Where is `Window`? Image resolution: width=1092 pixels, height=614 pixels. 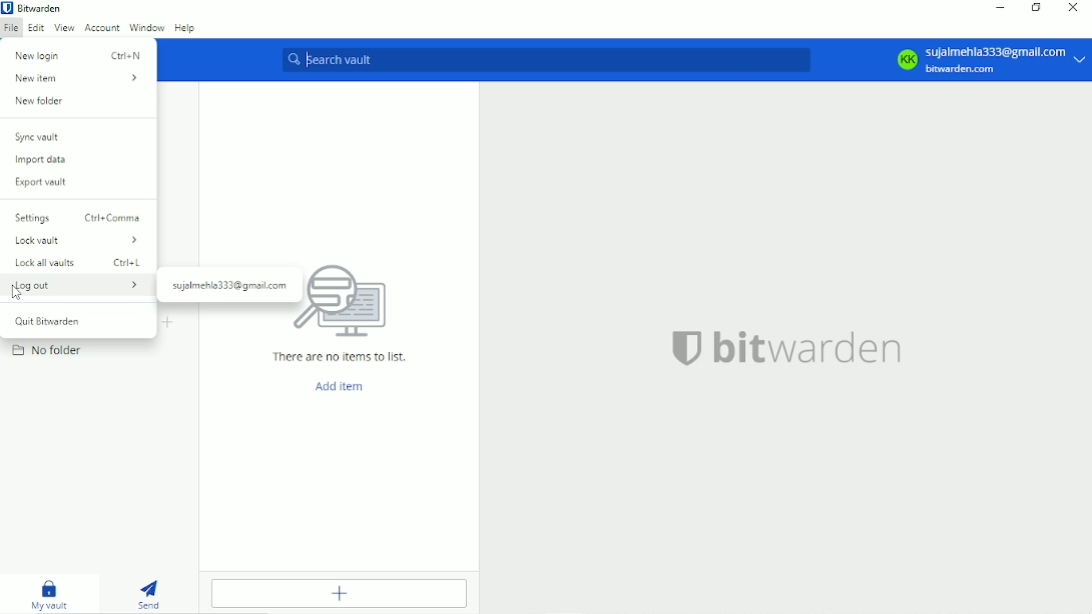 Window is located at coordinates (145, 27).